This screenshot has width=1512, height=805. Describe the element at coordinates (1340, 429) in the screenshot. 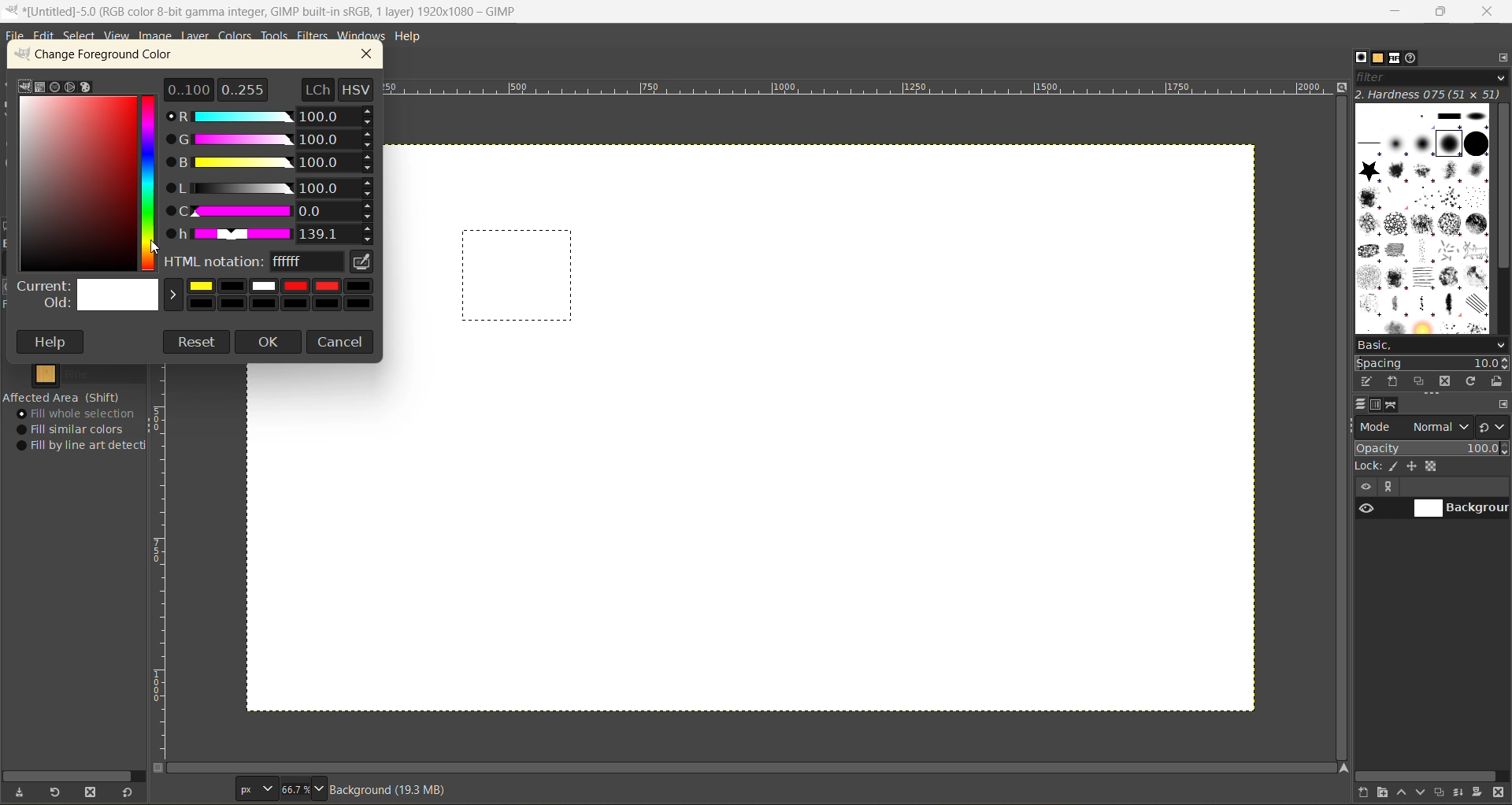

I see `vertical scroll bar` at that location.